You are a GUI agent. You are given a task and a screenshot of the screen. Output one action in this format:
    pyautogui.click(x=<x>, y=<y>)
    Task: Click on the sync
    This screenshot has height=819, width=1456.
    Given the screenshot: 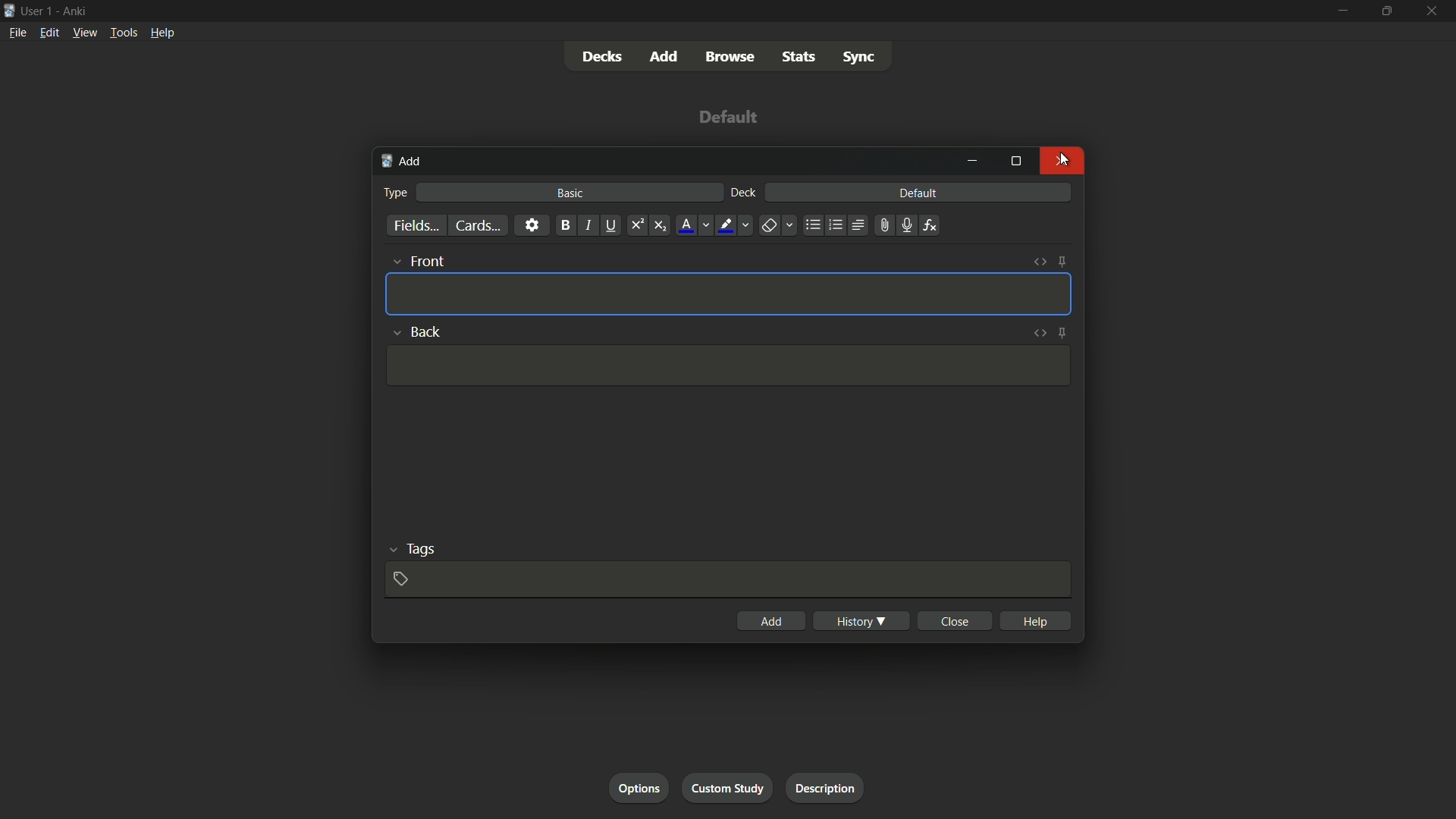 What is the action you would take?
    pyautogui.click(x=861, y=58)
    